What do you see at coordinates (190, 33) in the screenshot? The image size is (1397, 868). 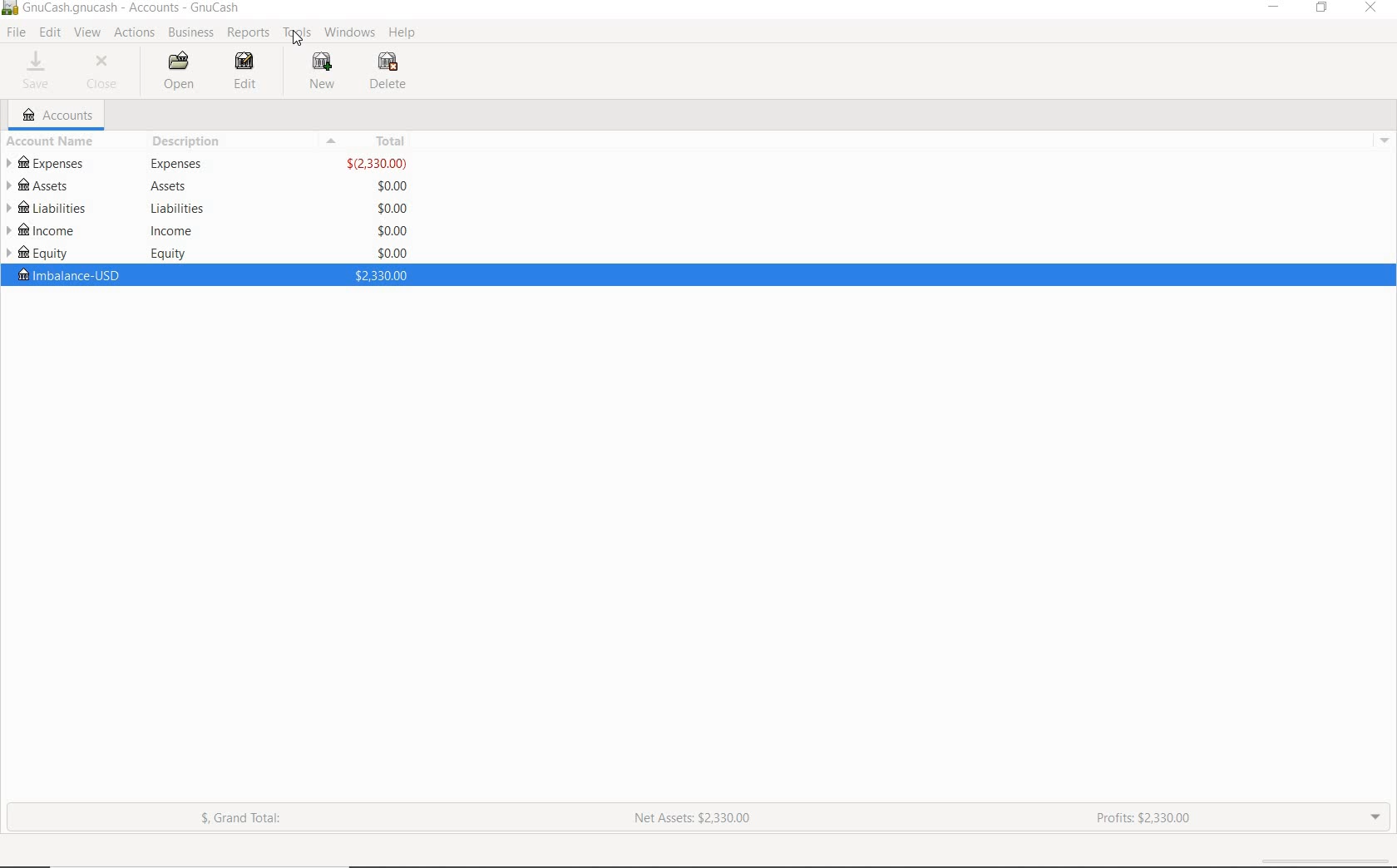 I see `BUSINESS` at bounding box center [190, 33].